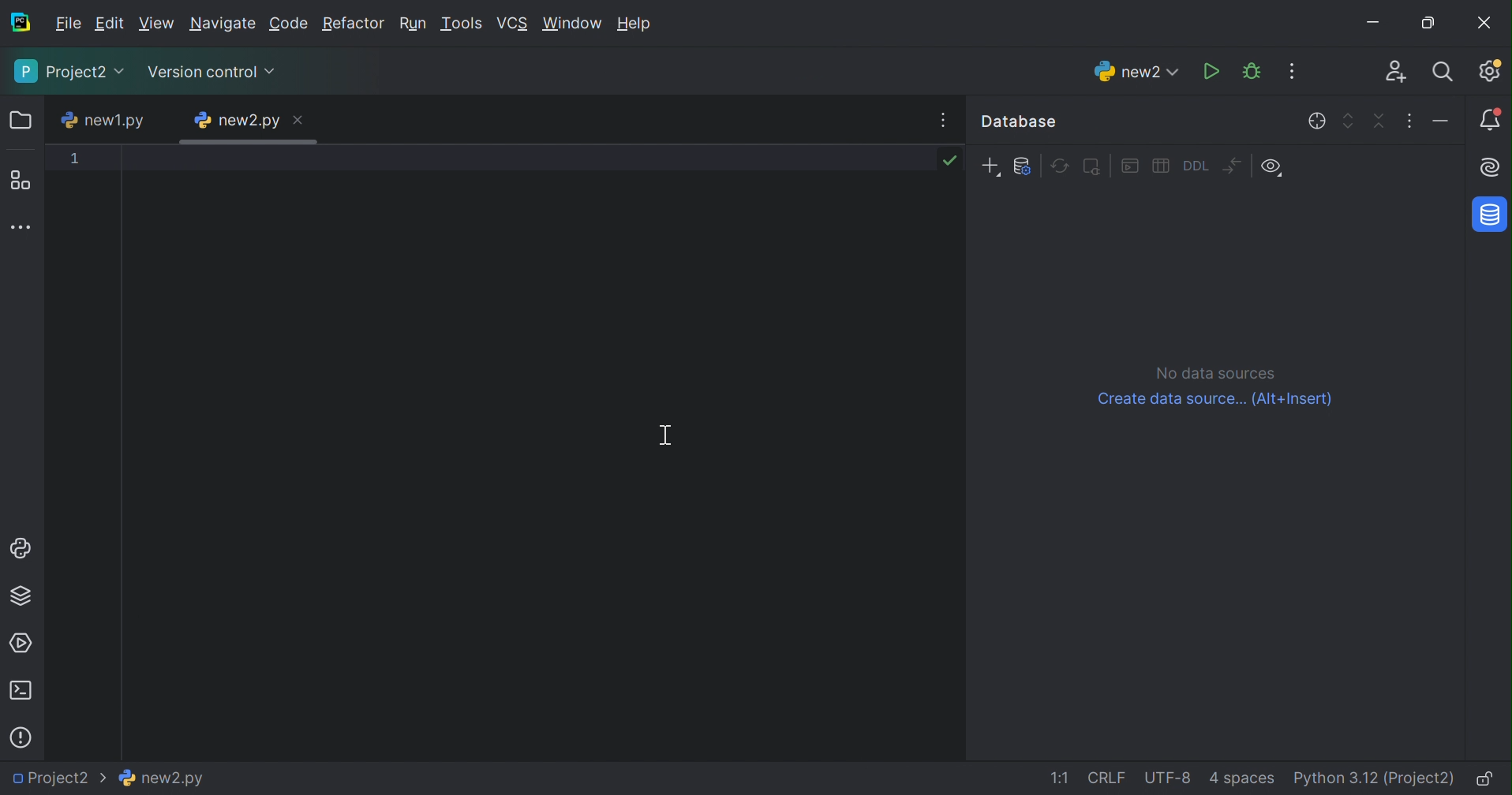  I want to click on new1.py, so click(101, 120).